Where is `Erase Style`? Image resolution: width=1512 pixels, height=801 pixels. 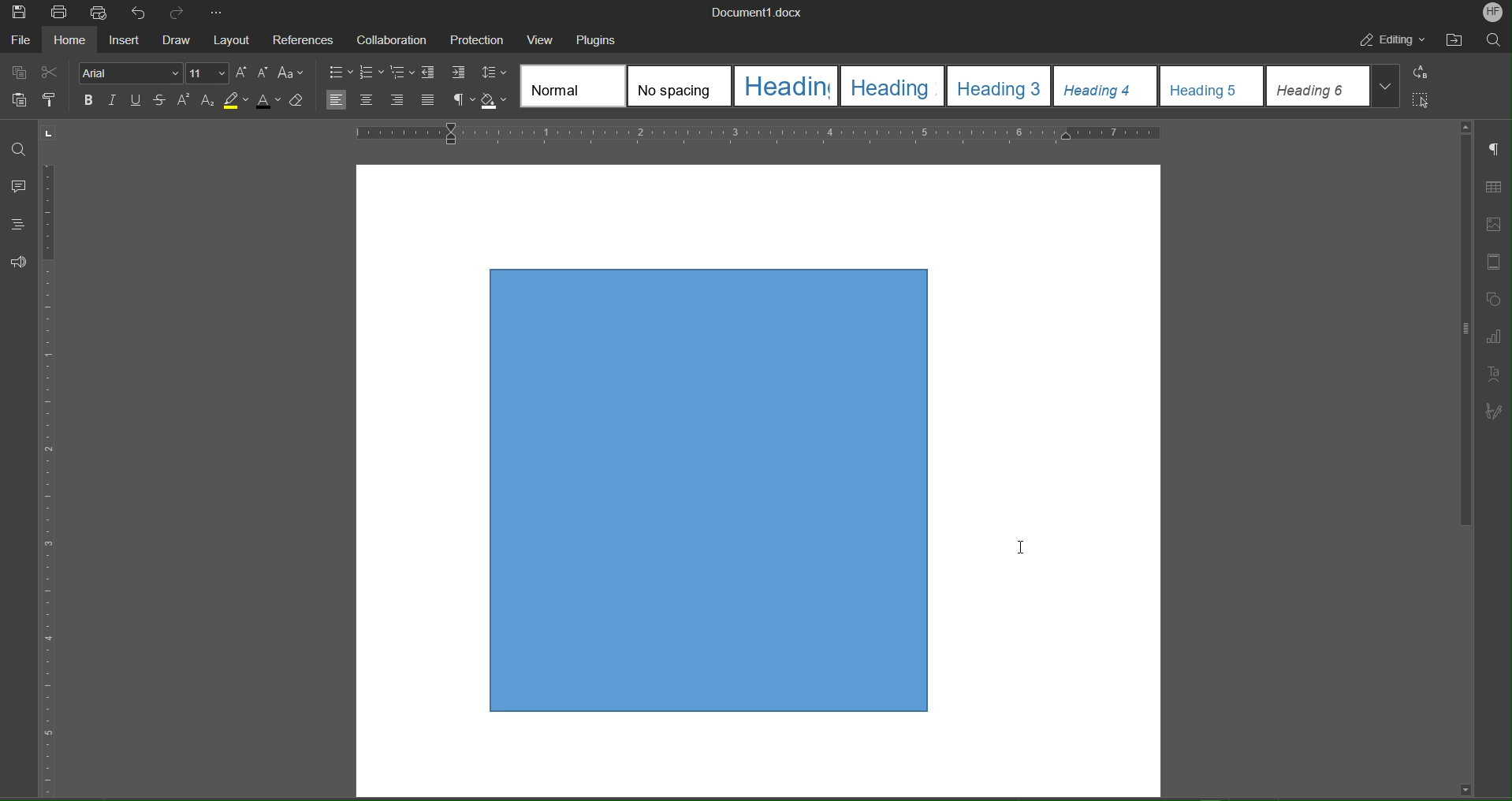
Erase Style is located at coordinates (298, 102).